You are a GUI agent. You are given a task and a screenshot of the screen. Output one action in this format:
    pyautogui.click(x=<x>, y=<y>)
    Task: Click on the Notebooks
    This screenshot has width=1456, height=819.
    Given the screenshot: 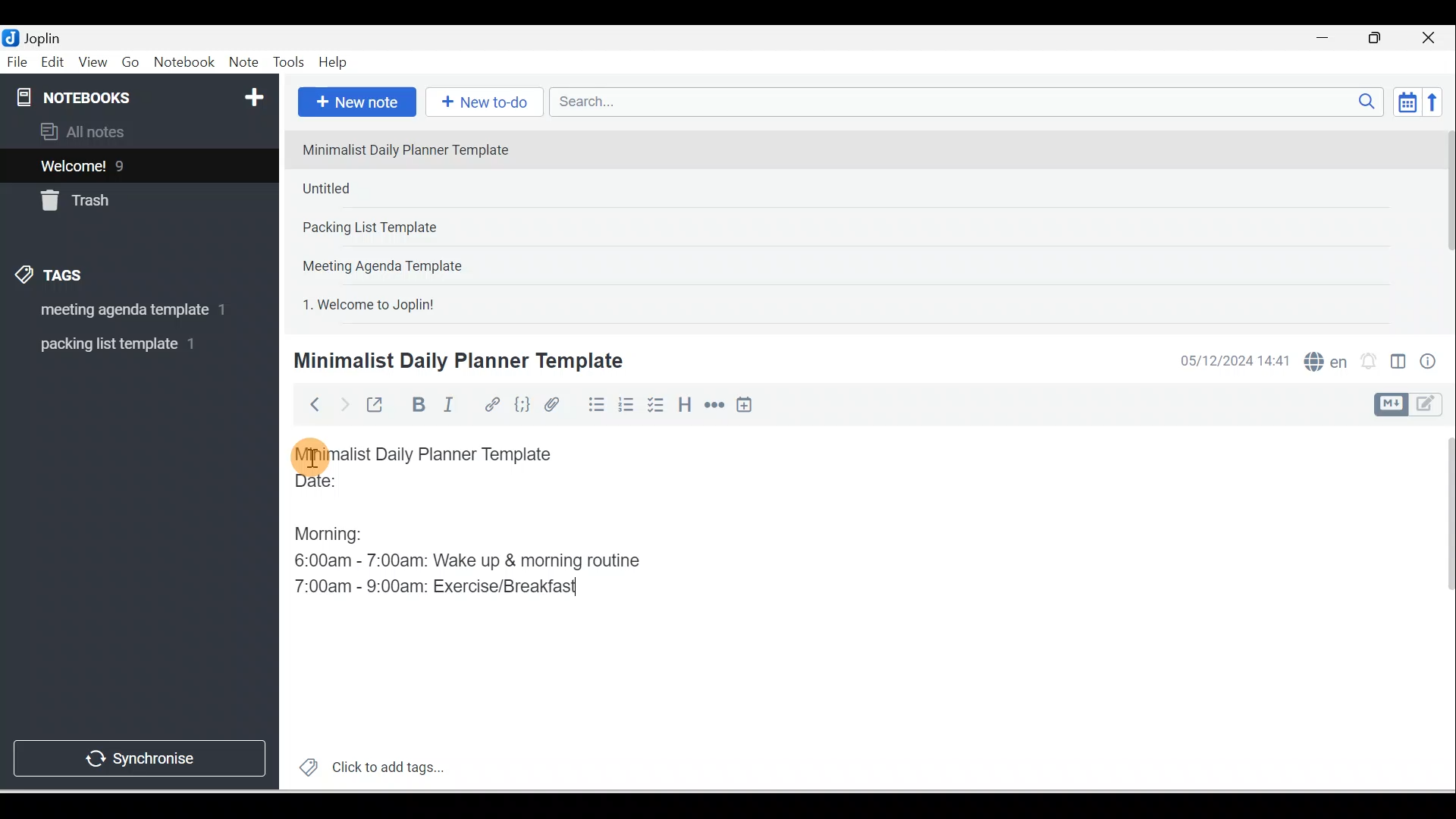 What is the action you would take?
    pyautogui.click(x=143, y=94)
    